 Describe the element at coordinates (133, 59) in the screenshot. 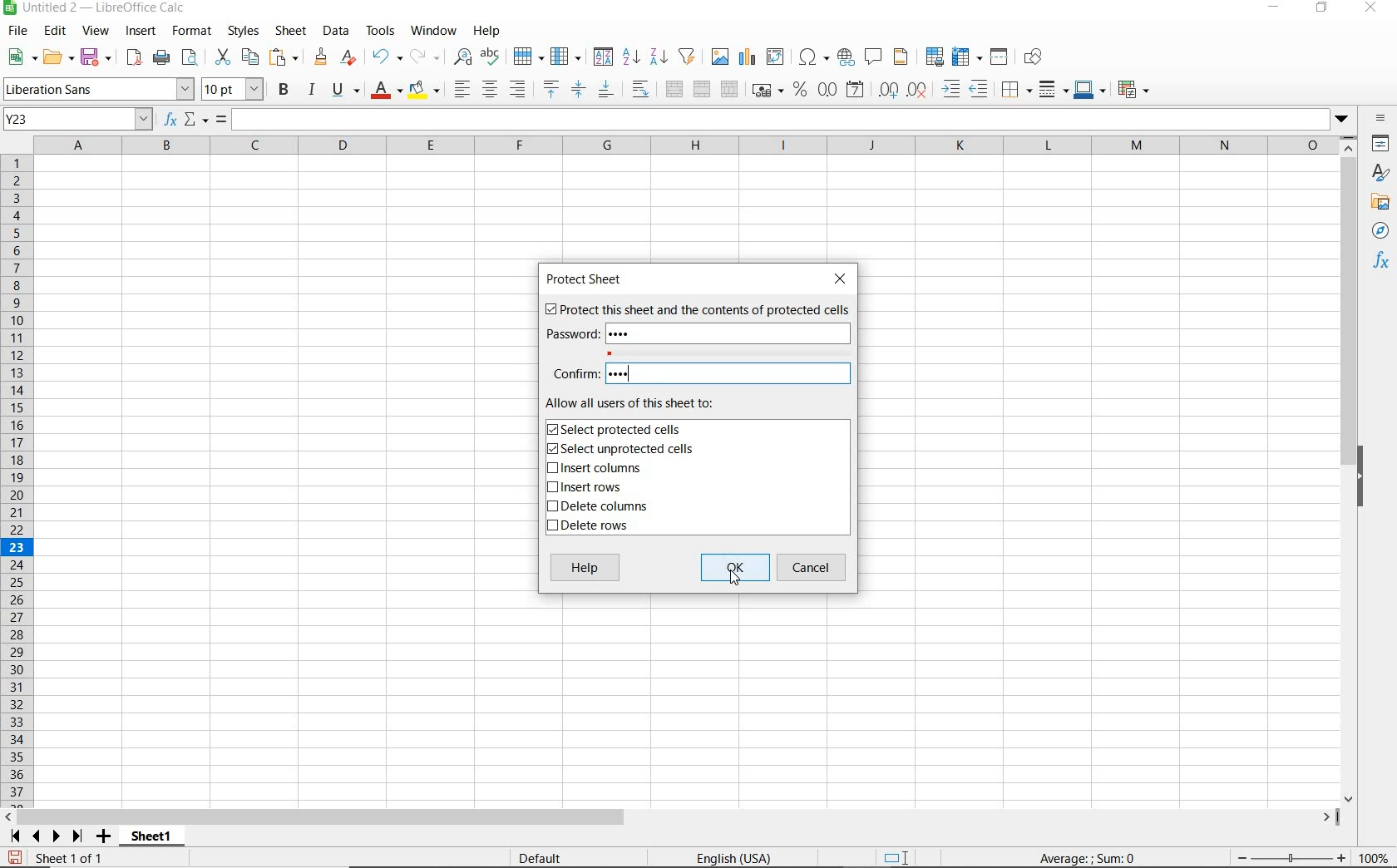

I see `EXPORT DIRECTLY AS PDF` at that location.